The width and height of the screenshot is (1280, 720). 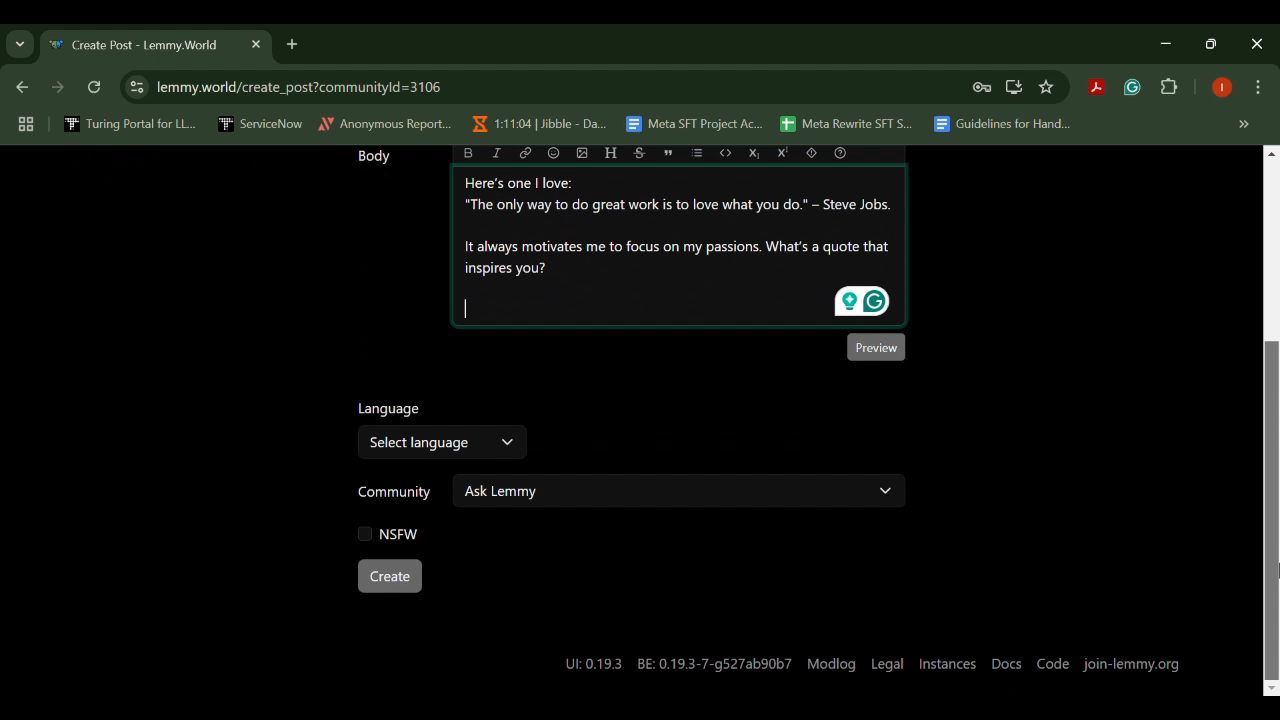 What do you see at coordinates (1000, 124) in the screenshot?
I see `Guidelines for Hand...` at bounding box center [1000, 124].